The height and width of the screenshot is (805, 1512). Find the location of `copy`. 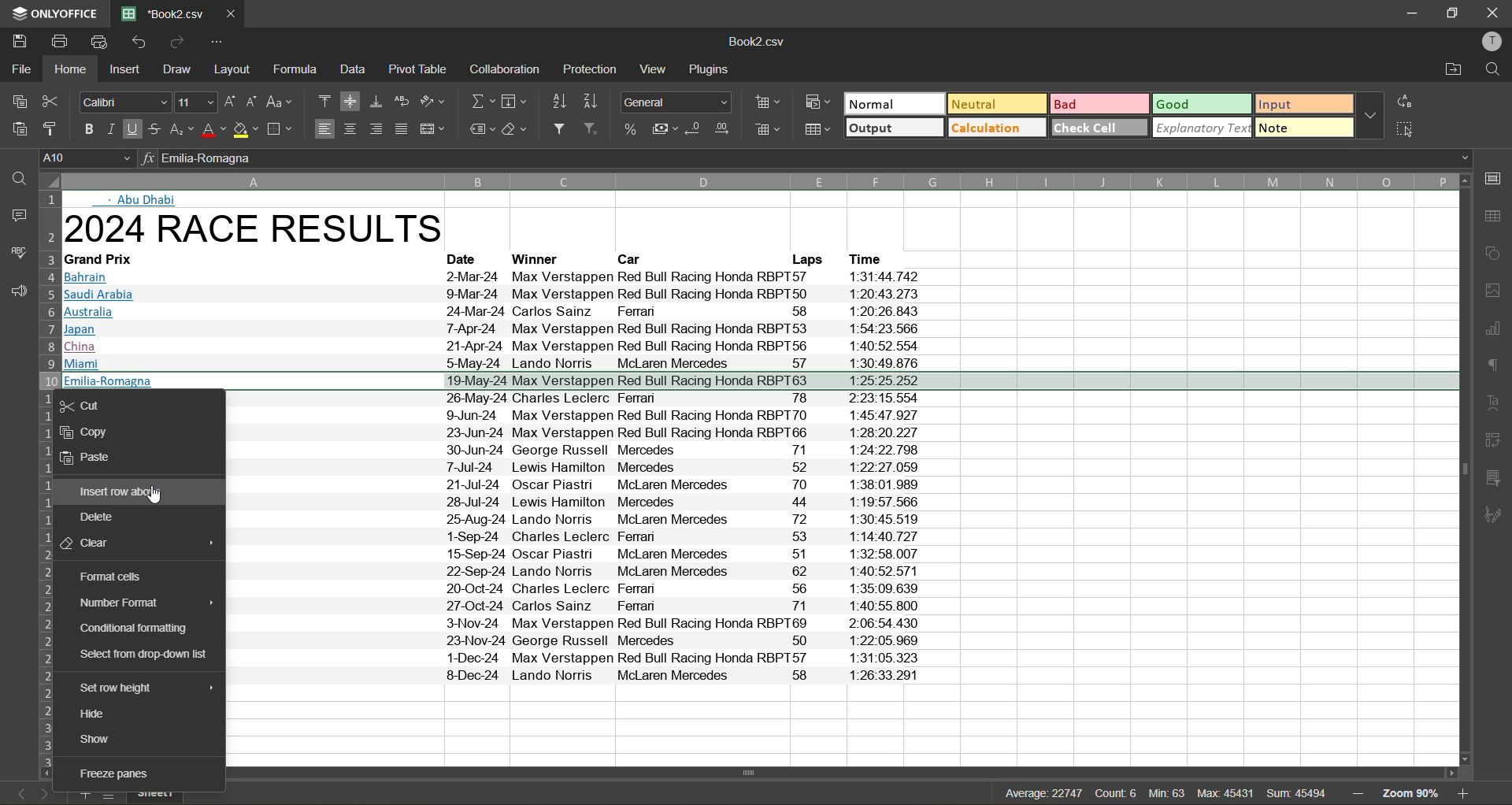

copy is located at coordinates (91, 431).